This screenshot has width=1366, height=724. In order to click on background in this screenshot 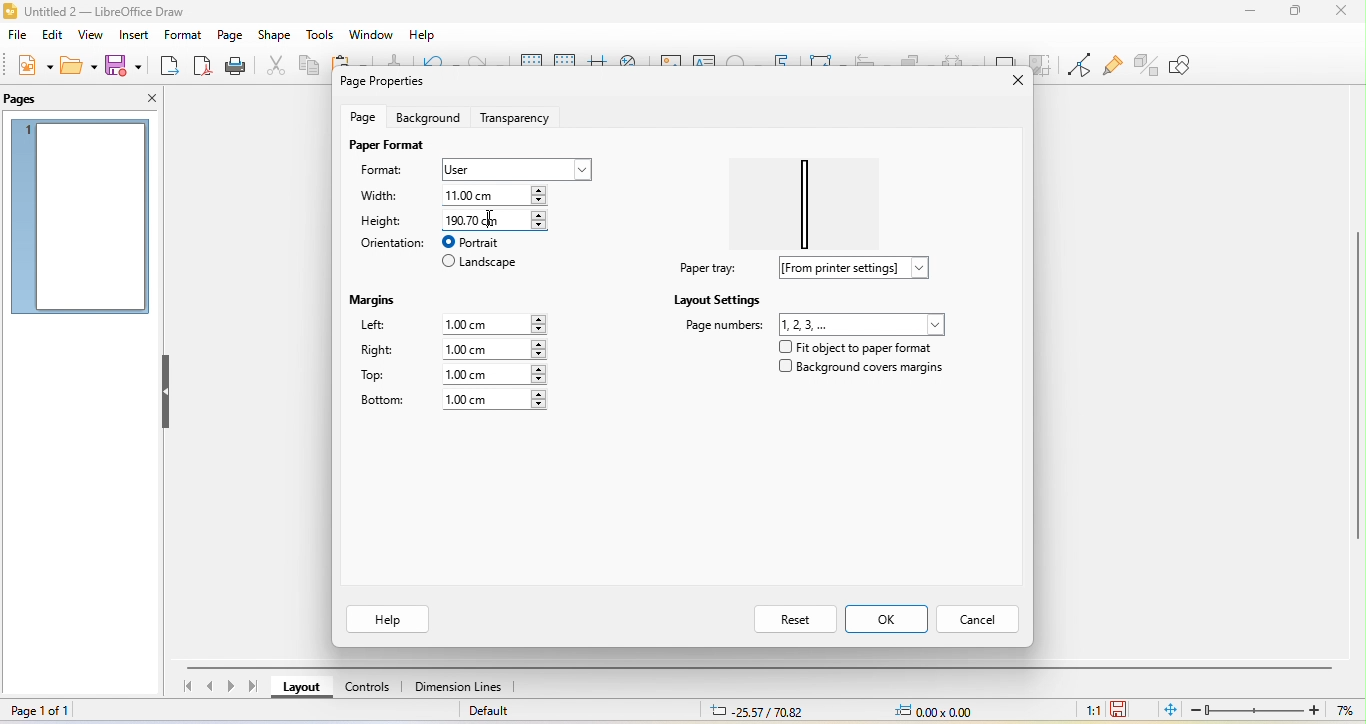, I will do `click(427, 117)`.